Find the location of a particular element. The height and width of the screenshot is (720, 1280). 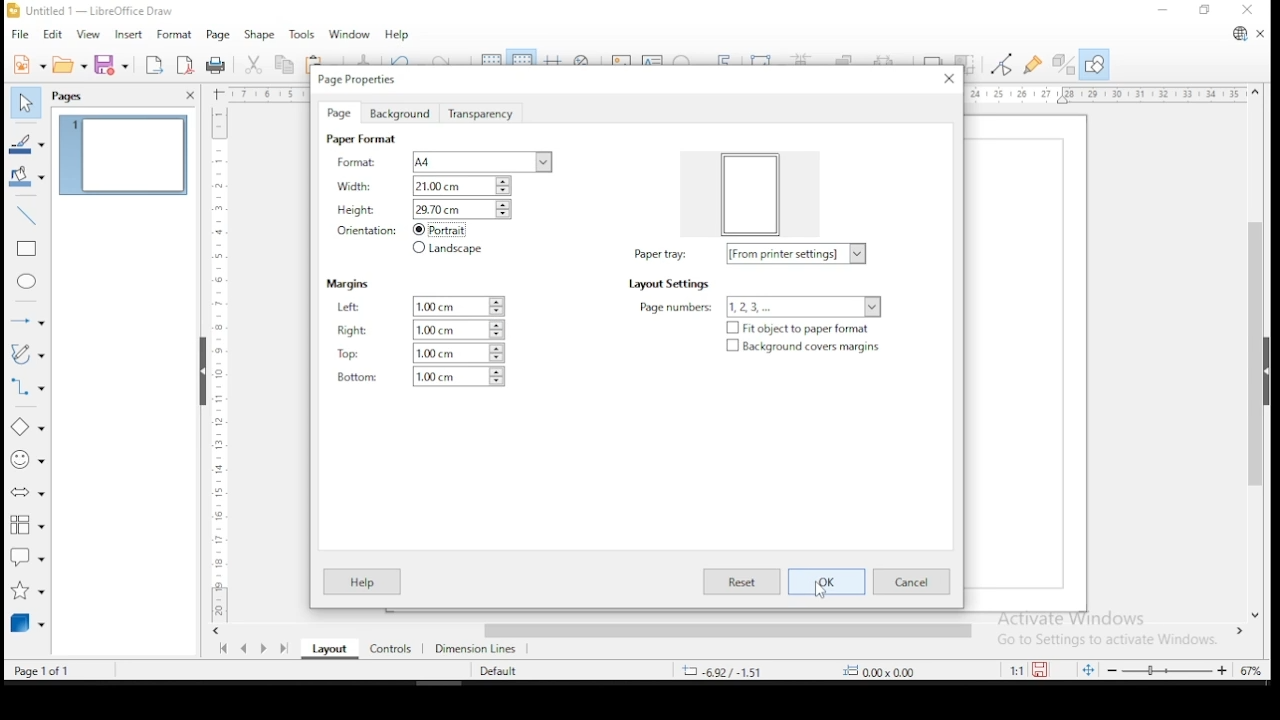

save is located at coordinates (1045, 669).